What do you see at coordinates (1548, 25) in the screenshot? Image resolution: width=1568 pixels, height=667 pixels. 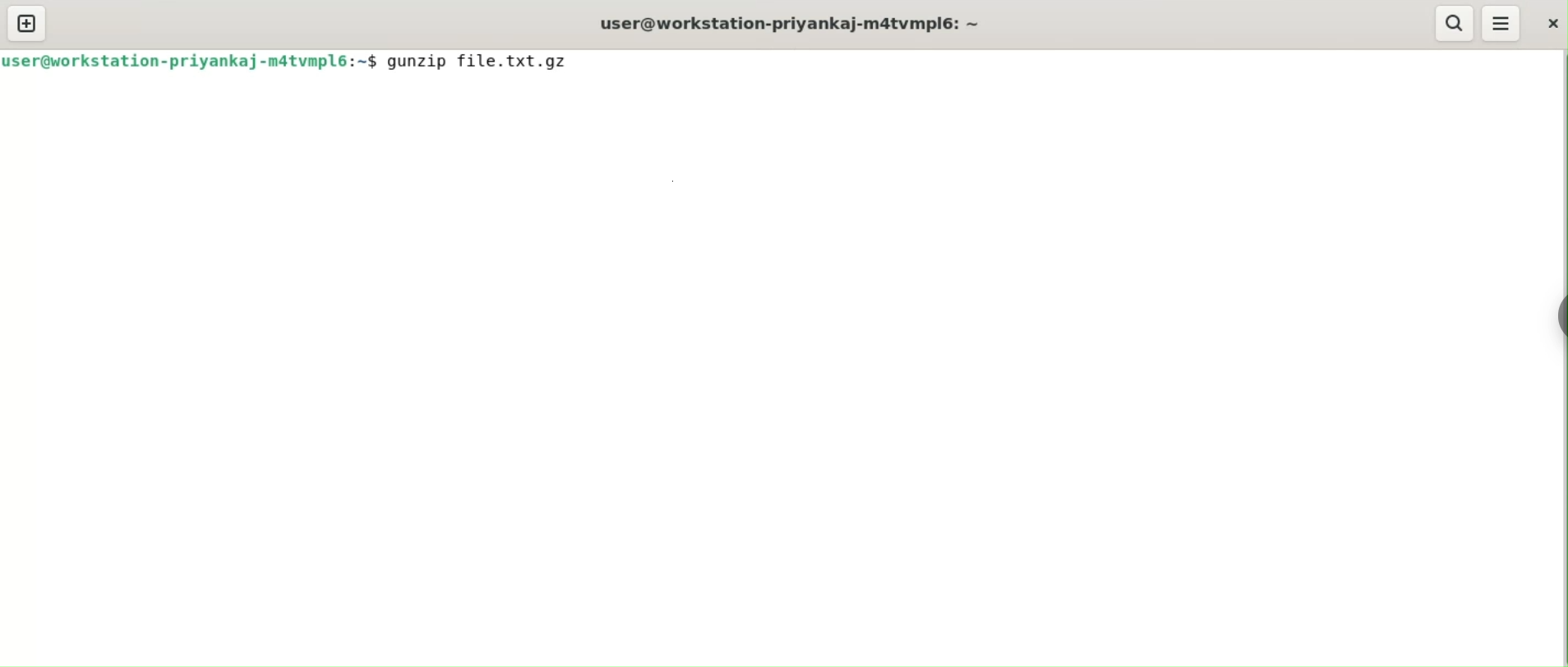 I see `close` at bounding box center [1548, 25].